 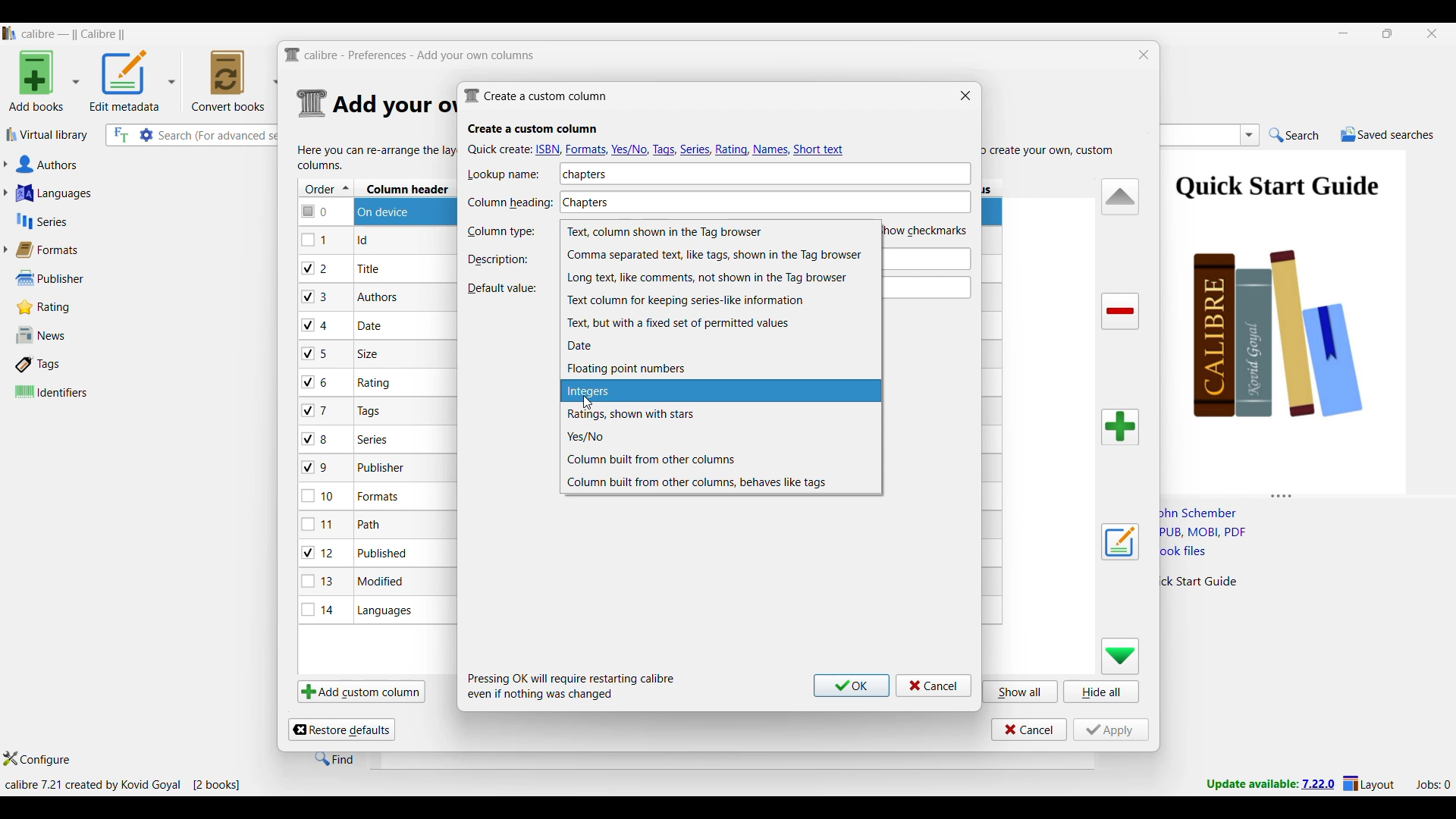 I want to click on Indicates Column heading text box, so click(x=510, y=203).